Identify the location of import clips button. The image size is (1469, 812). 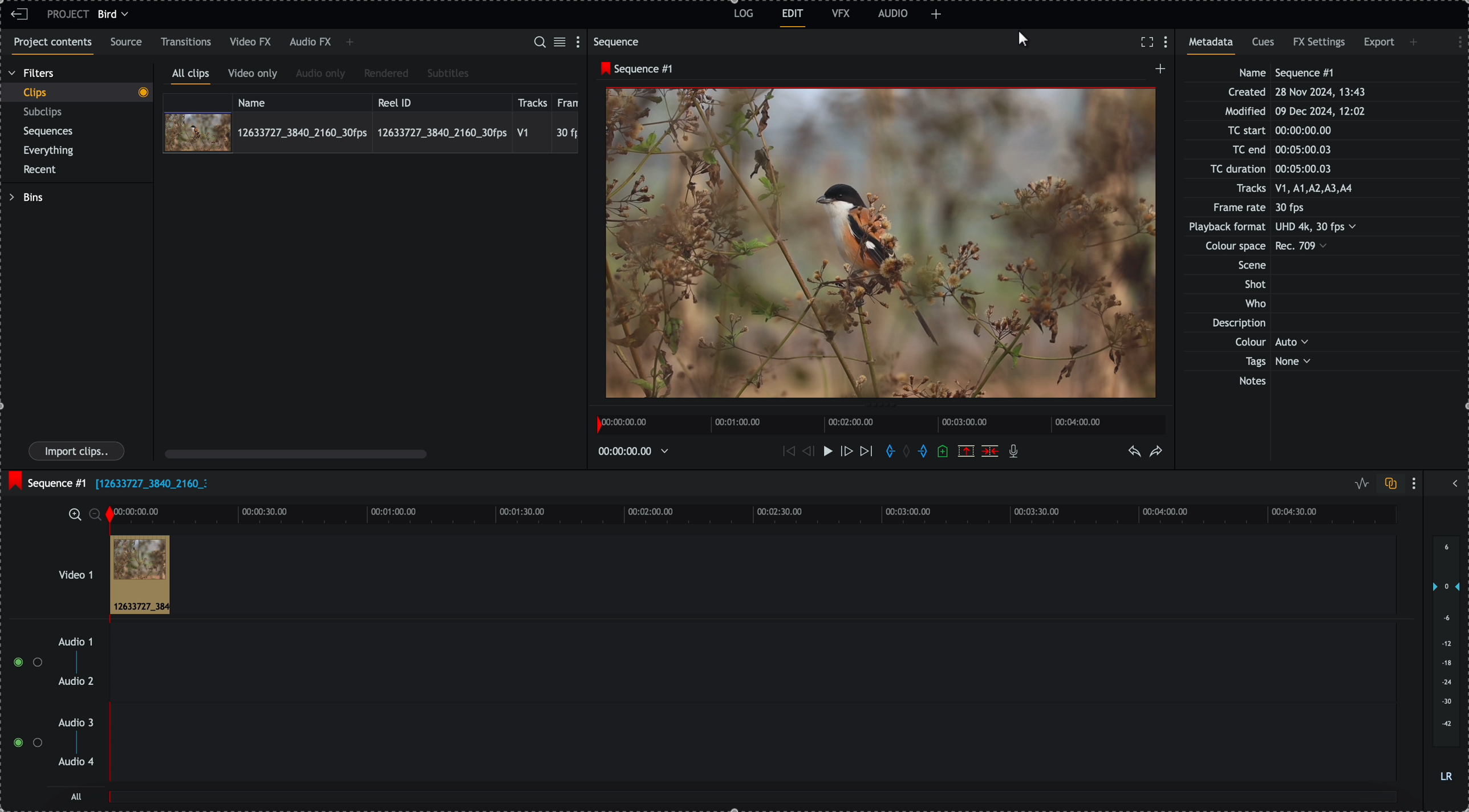
(78, 452).